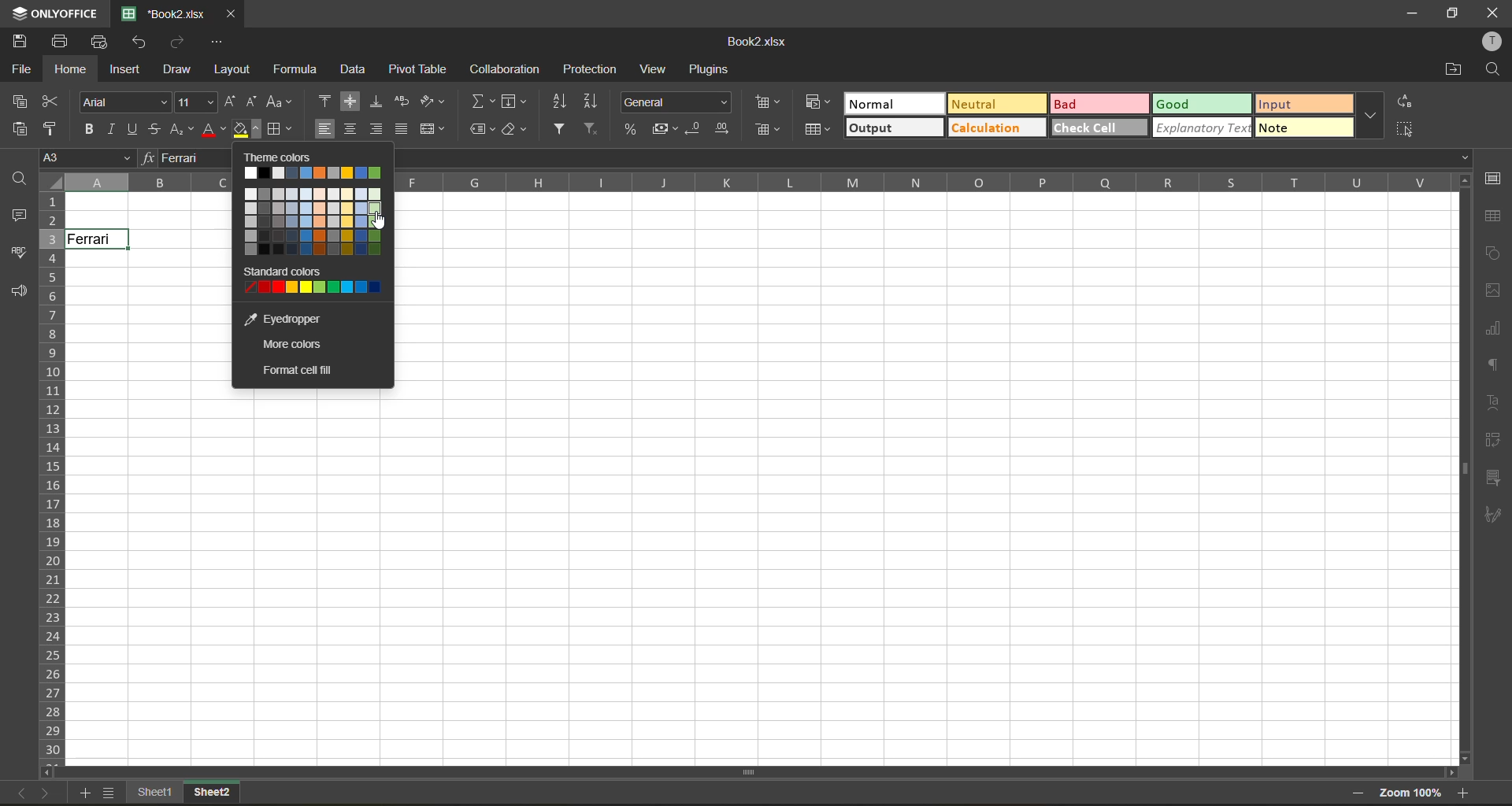  Describe the element at coordinates (1453, 70) in the screenshot. I see `open location` at that location.